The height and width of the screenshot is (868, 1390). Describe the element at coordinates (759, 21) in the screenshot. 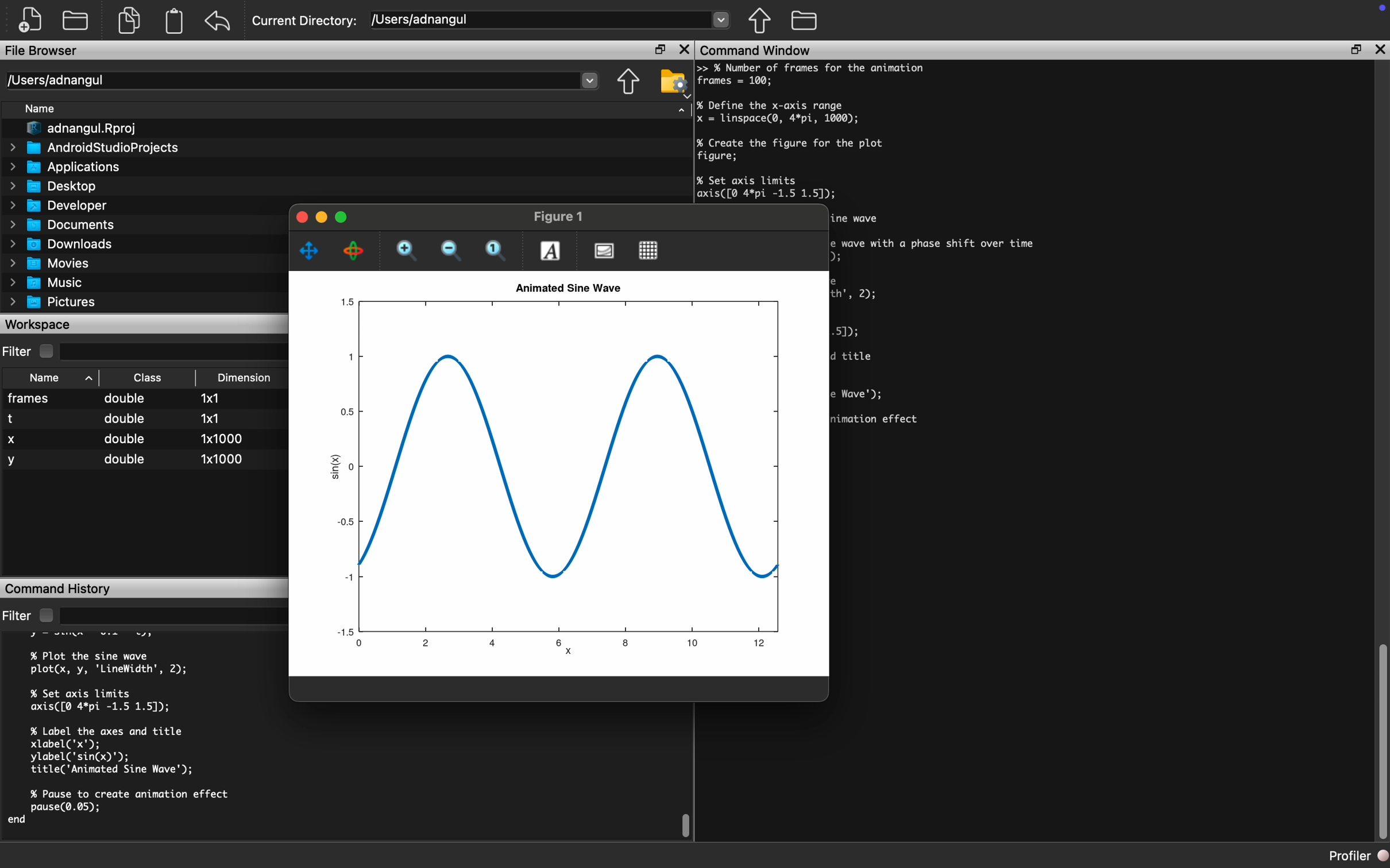

I see `Parent Directory` at that location.